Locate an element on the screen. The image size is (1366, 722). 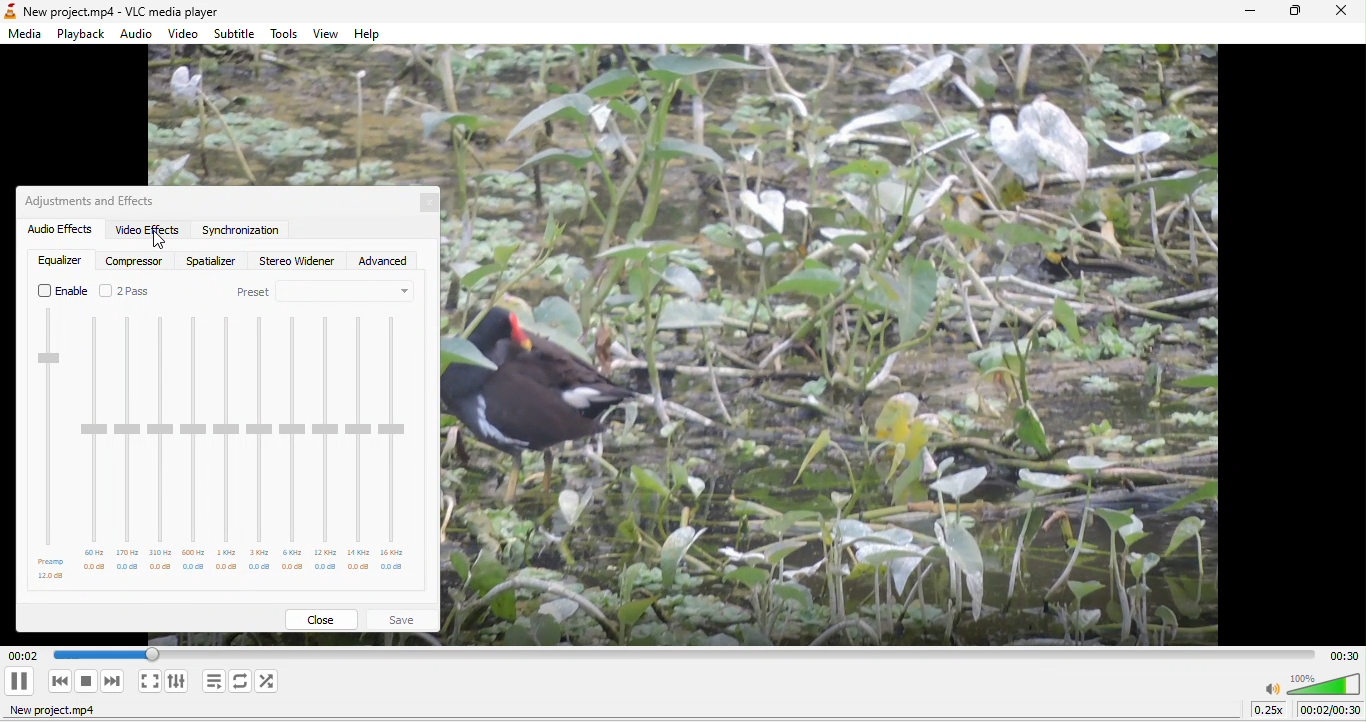
2 pass is located at coordinates (127, 291).